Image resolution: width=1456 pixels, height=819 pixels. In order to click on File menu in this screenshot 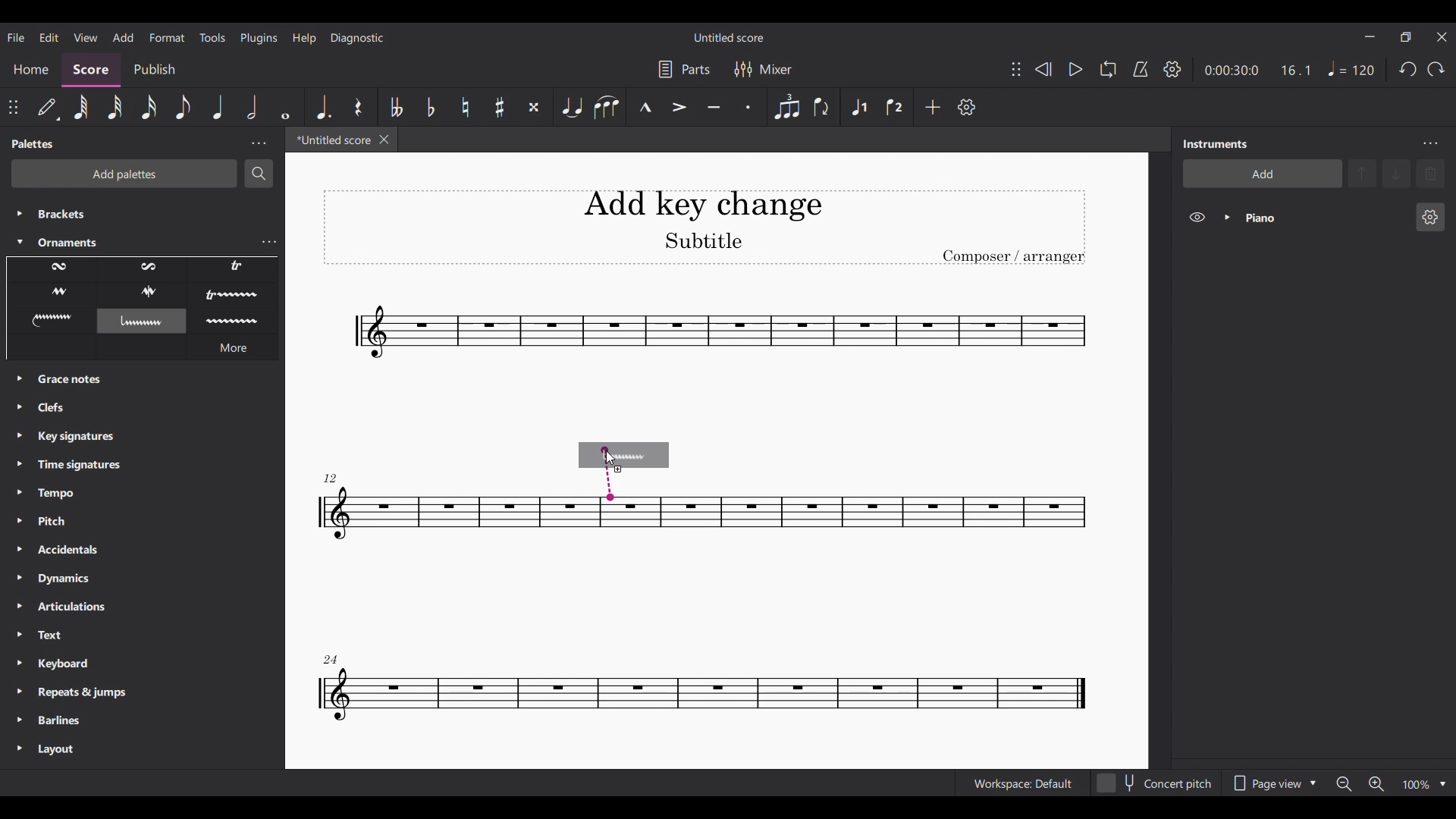, I will do `click(16, 36)`.